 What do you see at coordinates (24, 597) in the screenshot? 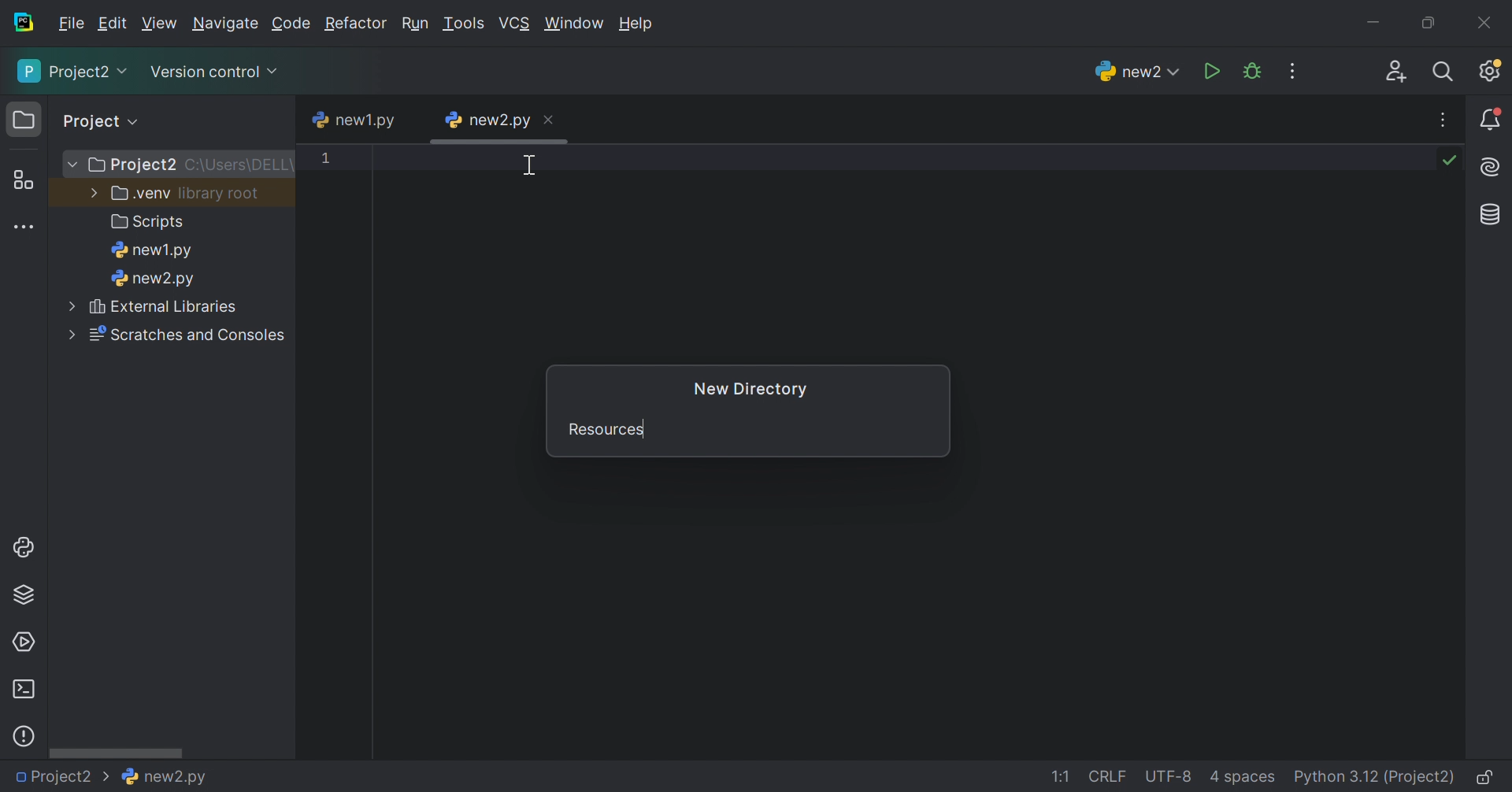
I see `Python Packages` at bounding box center [24, 597].